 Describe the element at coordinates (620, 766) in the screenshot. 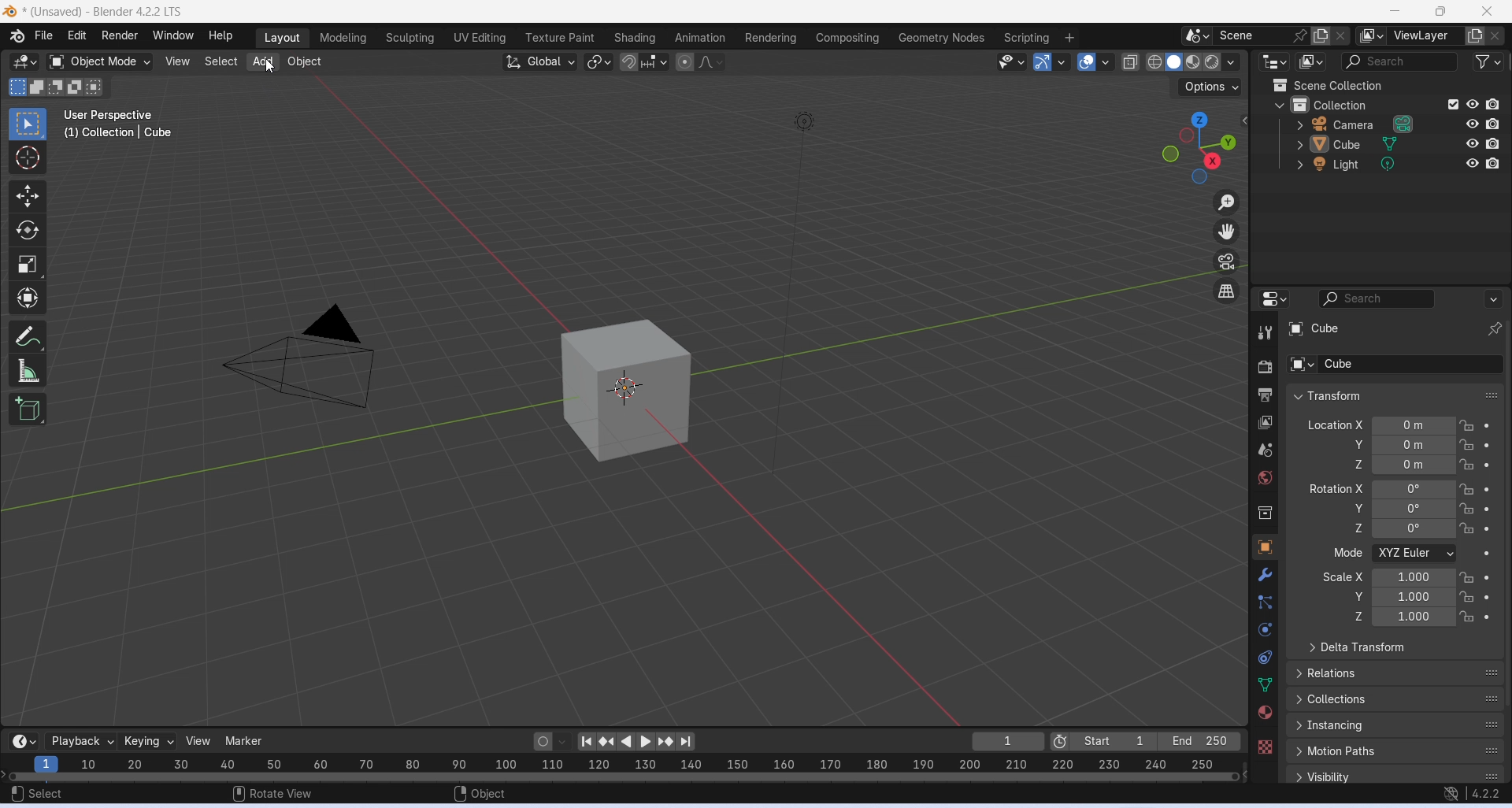

I see `scale` at that location.